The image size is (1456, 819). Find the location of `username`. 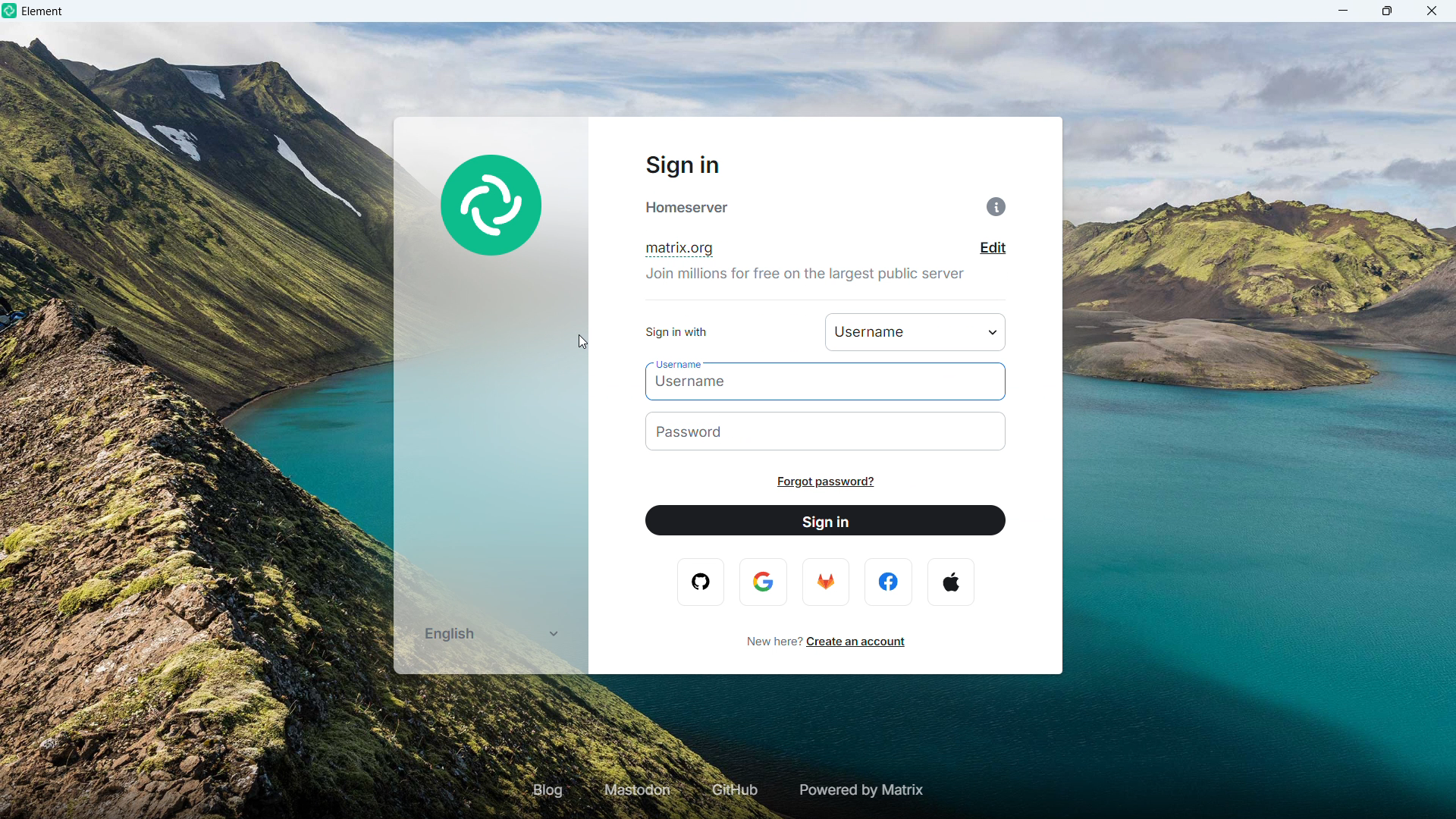

username is located at coordinates (675, 362).